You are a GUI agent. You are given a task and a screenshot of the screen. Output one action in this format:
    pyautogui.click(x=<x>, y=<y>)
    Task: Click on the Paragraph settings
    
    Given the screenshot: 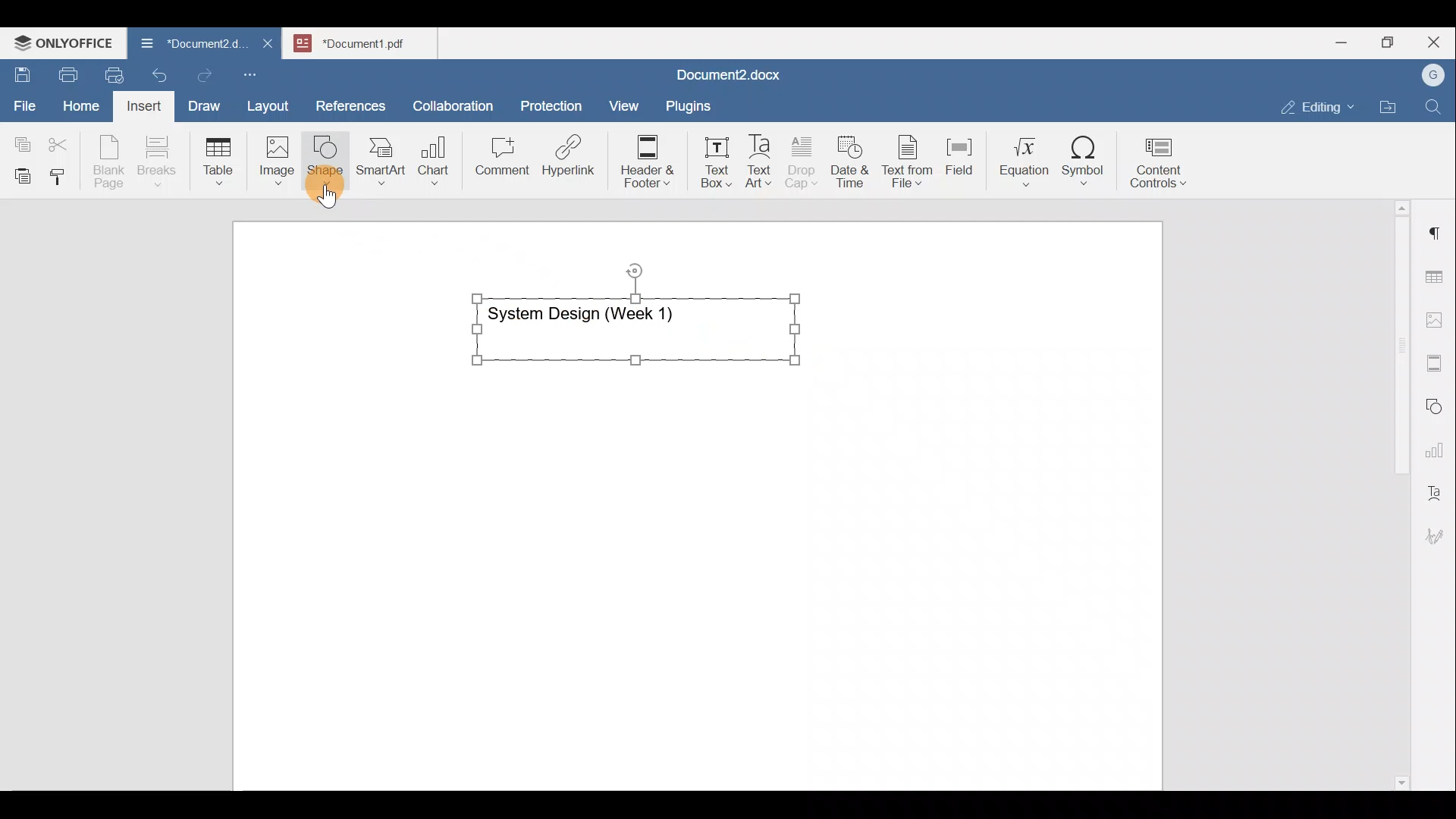 What is the action you would take?
    pyautogui.click(x=1436, y=227)
    